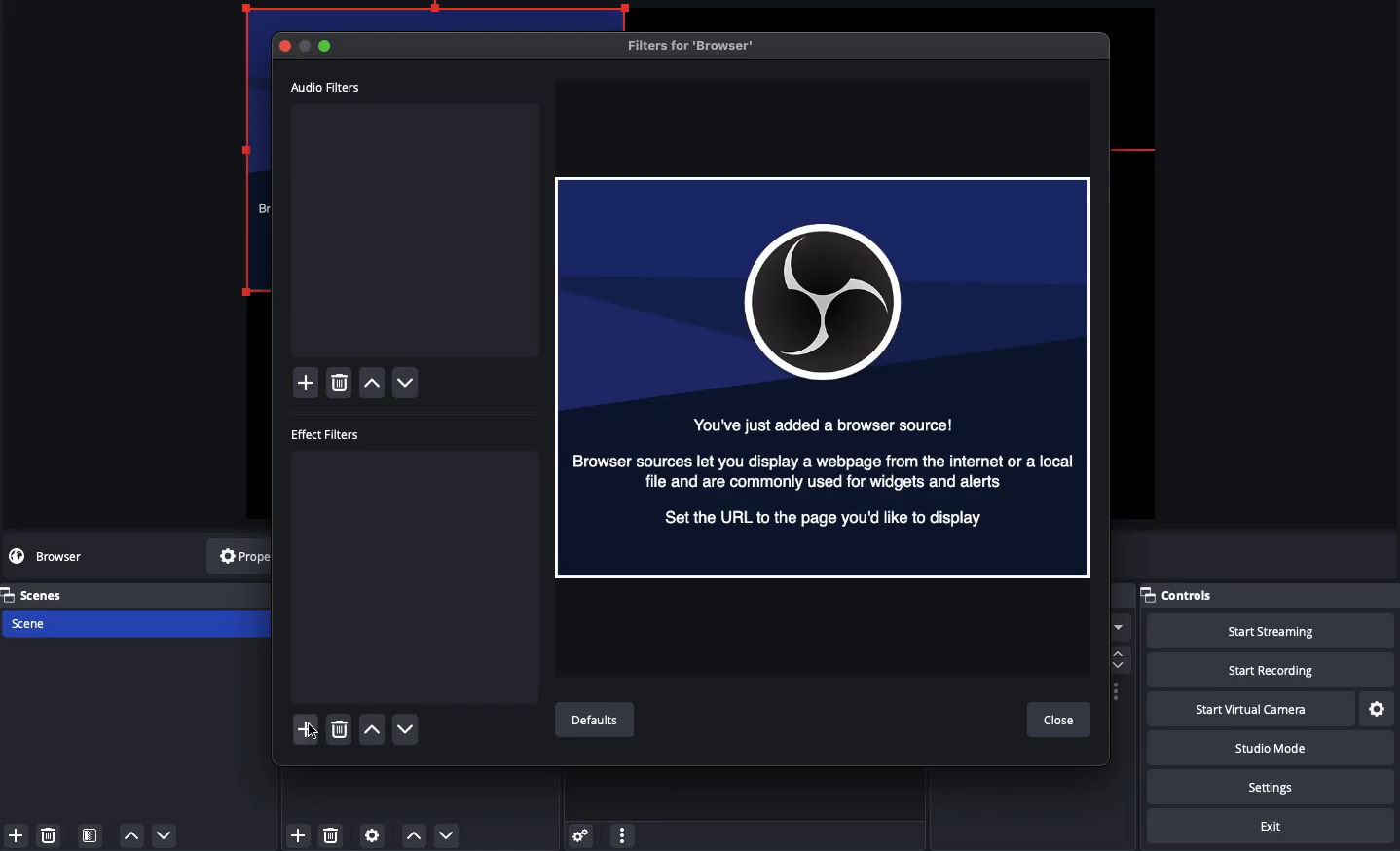 This screenshot has height=851, width=1400. What do you see at coordinates (583, 836) in the screenshot?
I see `Advanced audio properties` at bounding box center [583, 836].